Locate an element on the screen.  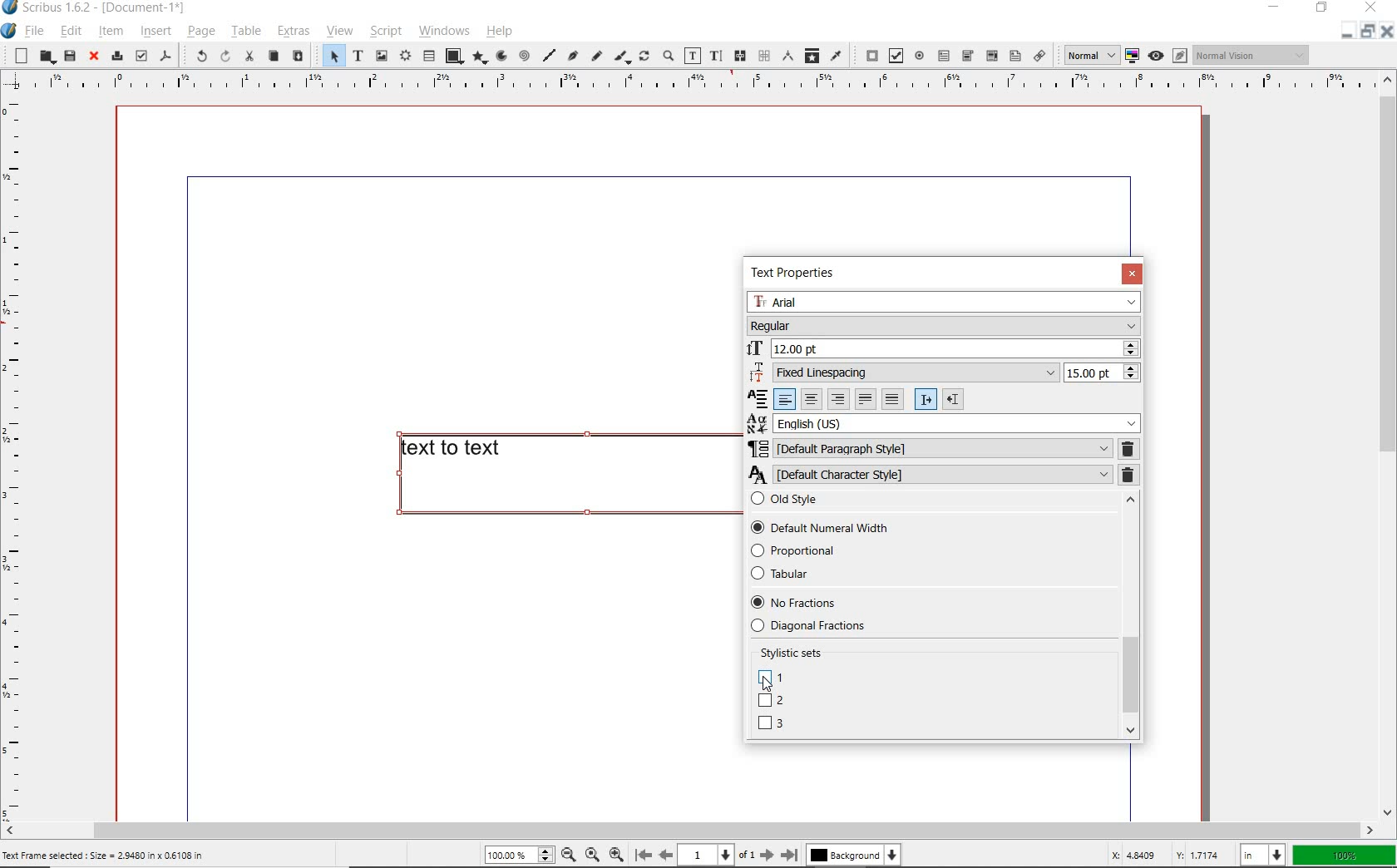
pdf combo box is located at coordinates (967, 56).